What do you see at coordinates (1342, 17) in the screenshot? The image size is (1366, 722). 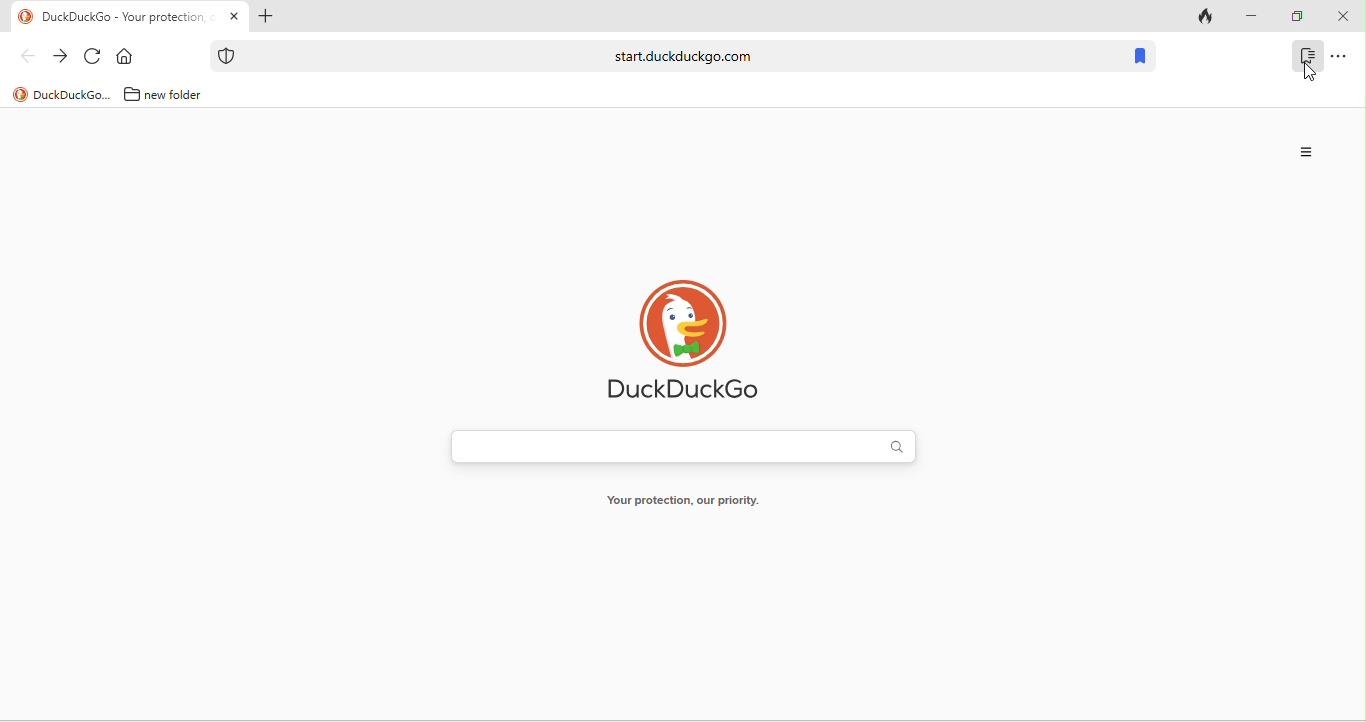 I see `close` at bounding box center [1342, 17].